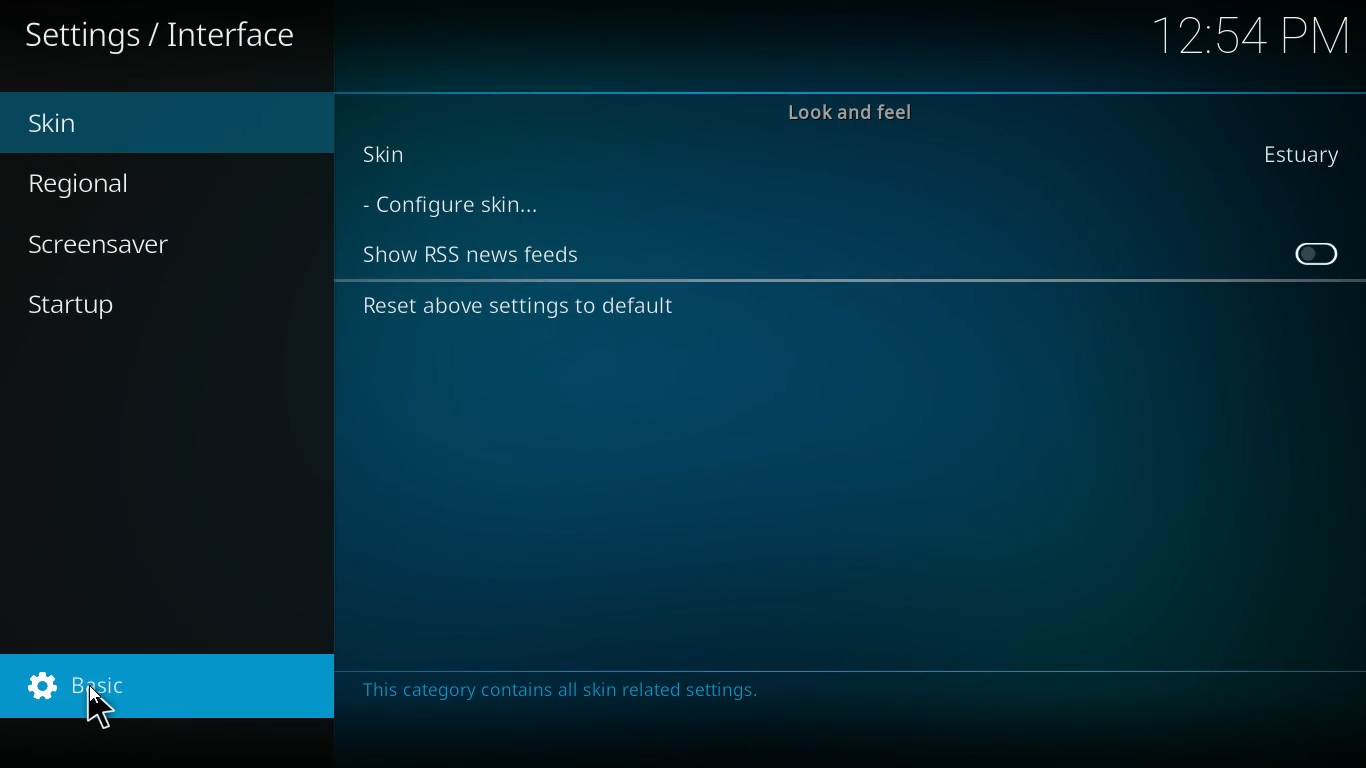 The image size is (1366, 768). I want to click on reset, so click(531, 307).